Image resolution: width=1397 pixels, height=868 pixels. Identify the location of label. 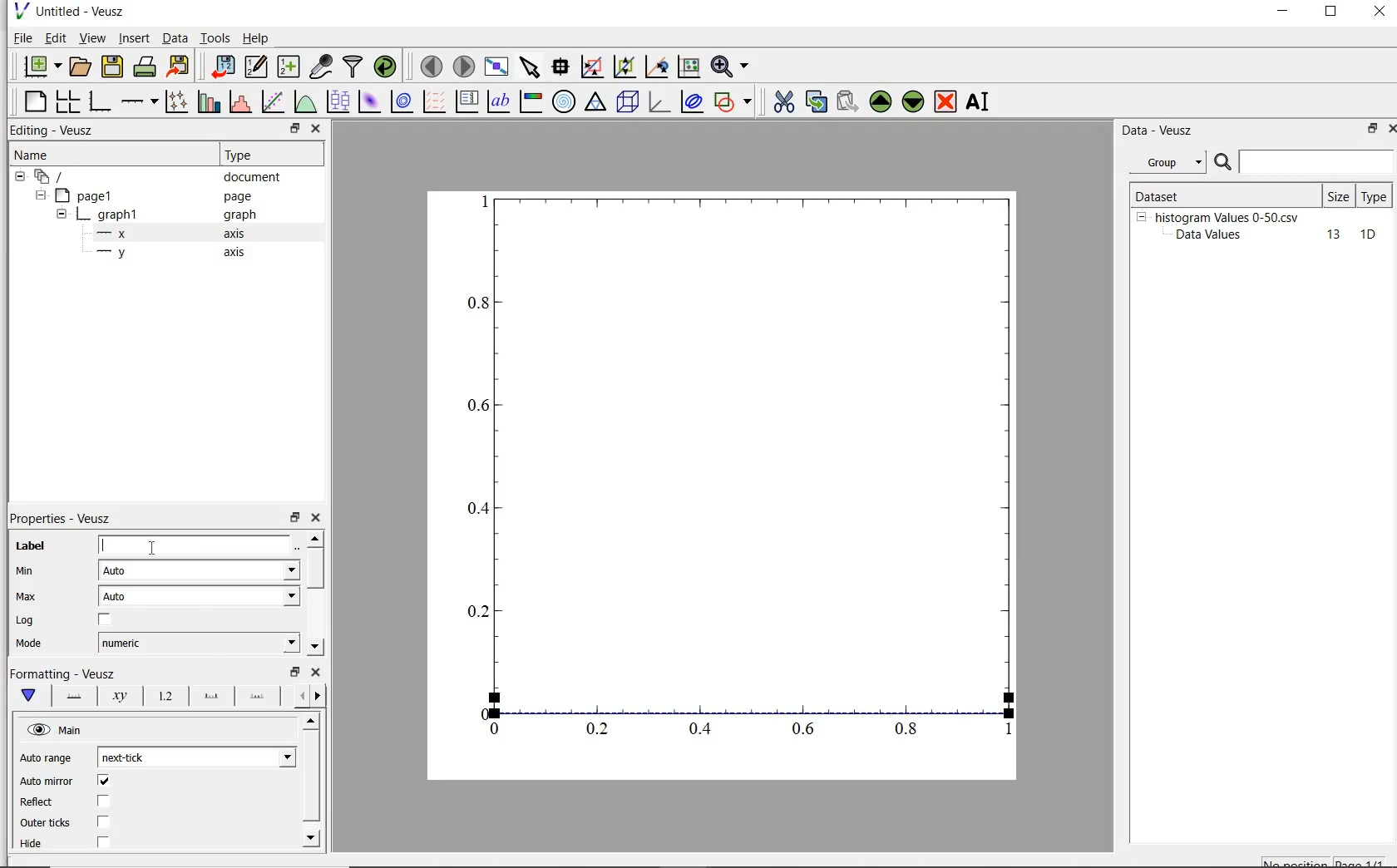
(31, 546).